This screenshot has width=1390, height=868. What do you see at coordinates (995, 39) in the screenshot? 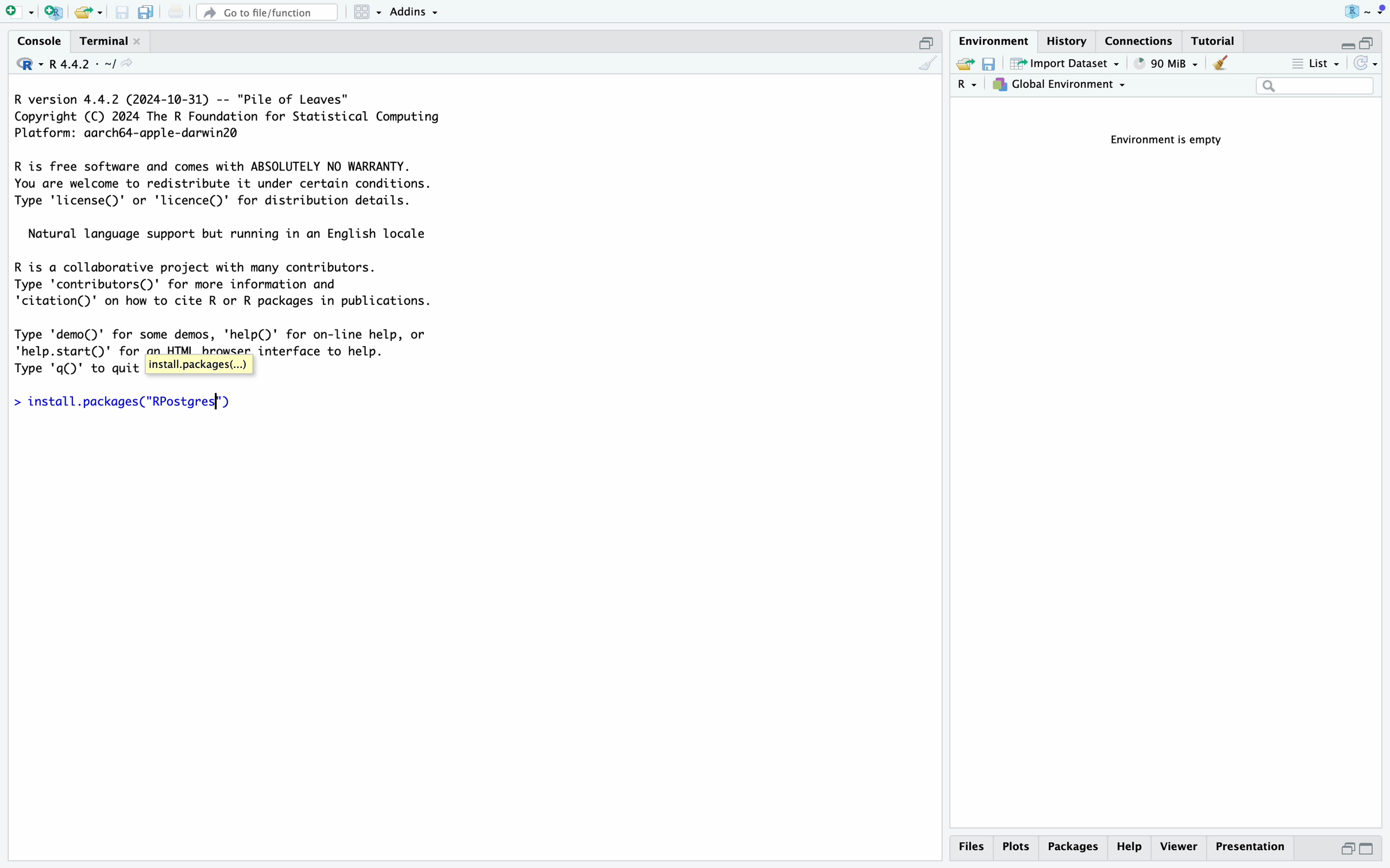
I see `environment` at bounding box center [995, 39].